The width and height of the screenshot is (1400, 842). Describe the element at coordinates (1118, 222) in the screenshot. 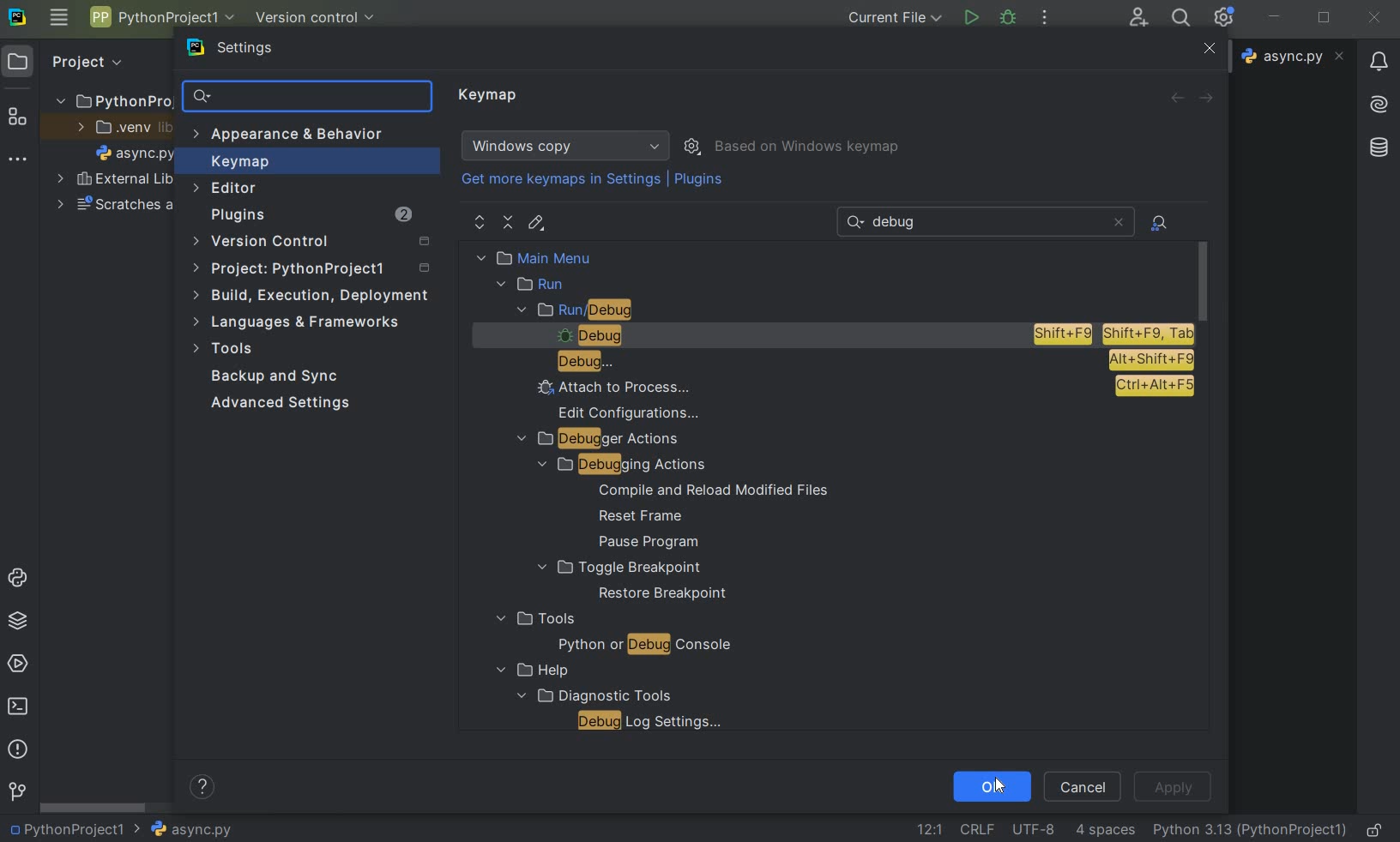

I see `close` at that location.